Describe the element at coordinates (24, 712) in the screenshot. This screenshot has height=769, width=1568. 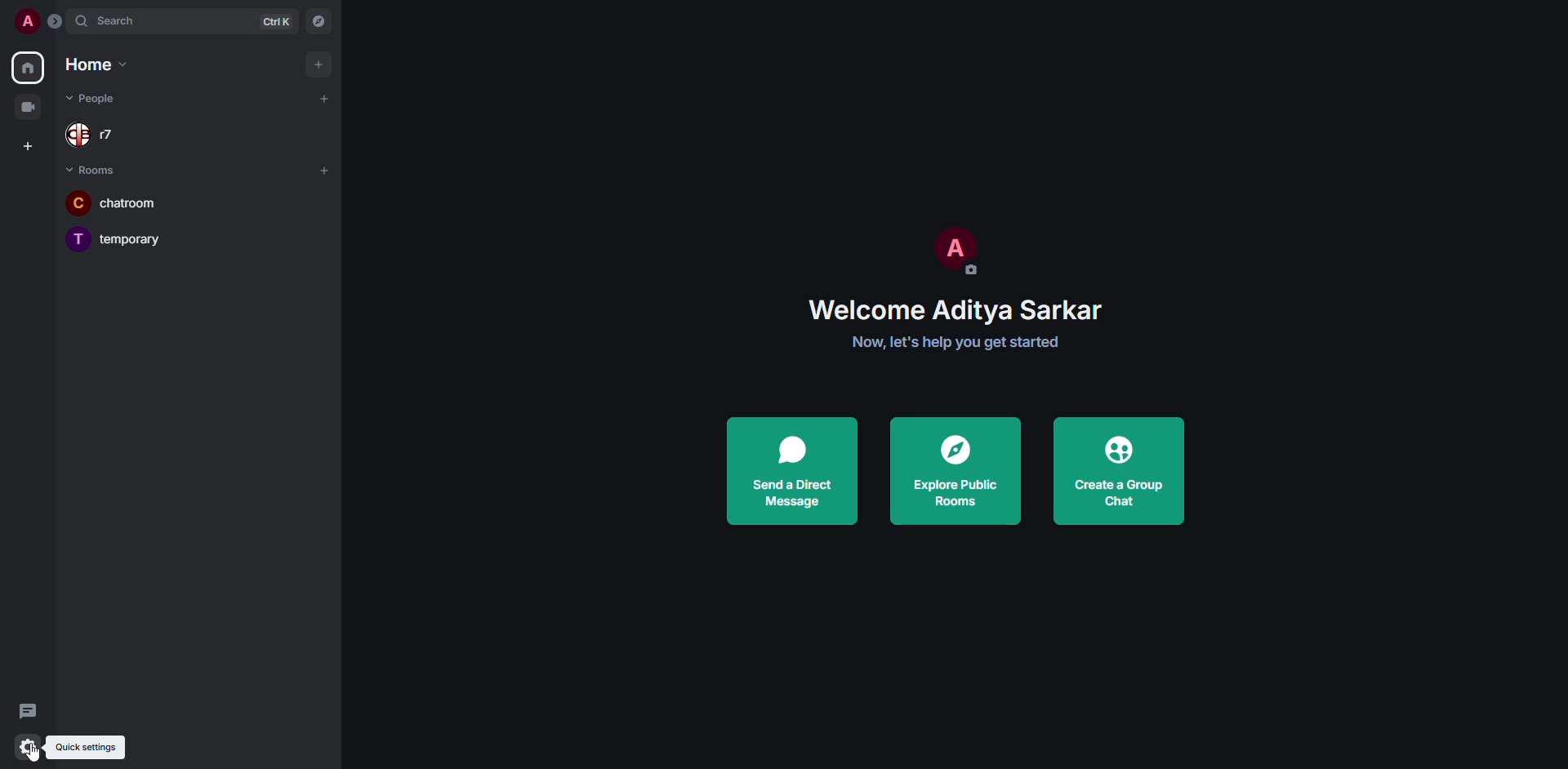
I see `threads` at that location.